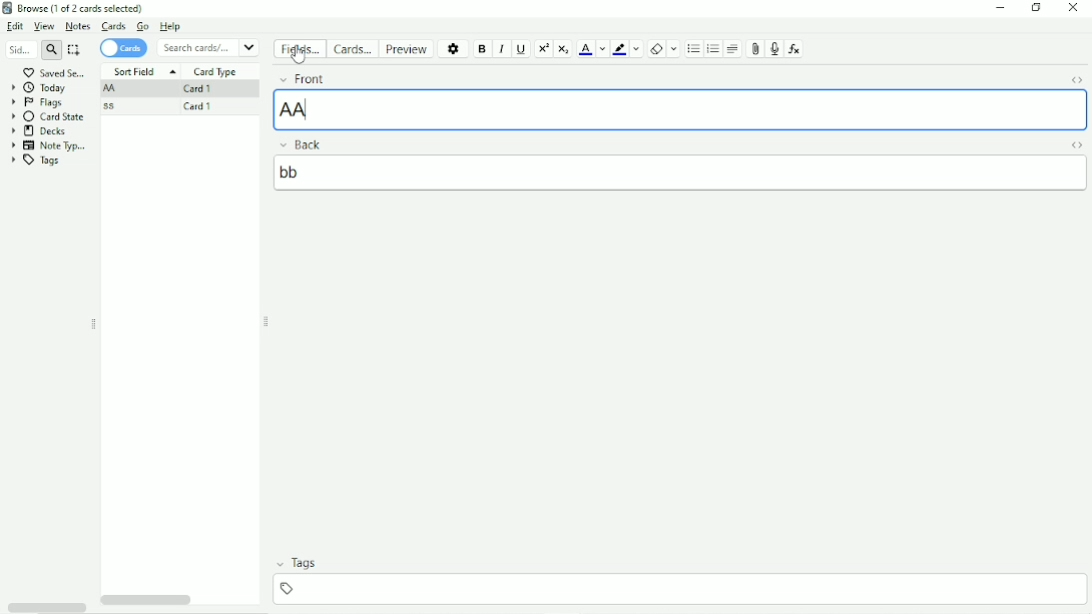 The image size is (1092, 614). Describe the element at coordinates (112, 89) in the screenshot. I see `AA` at that location.